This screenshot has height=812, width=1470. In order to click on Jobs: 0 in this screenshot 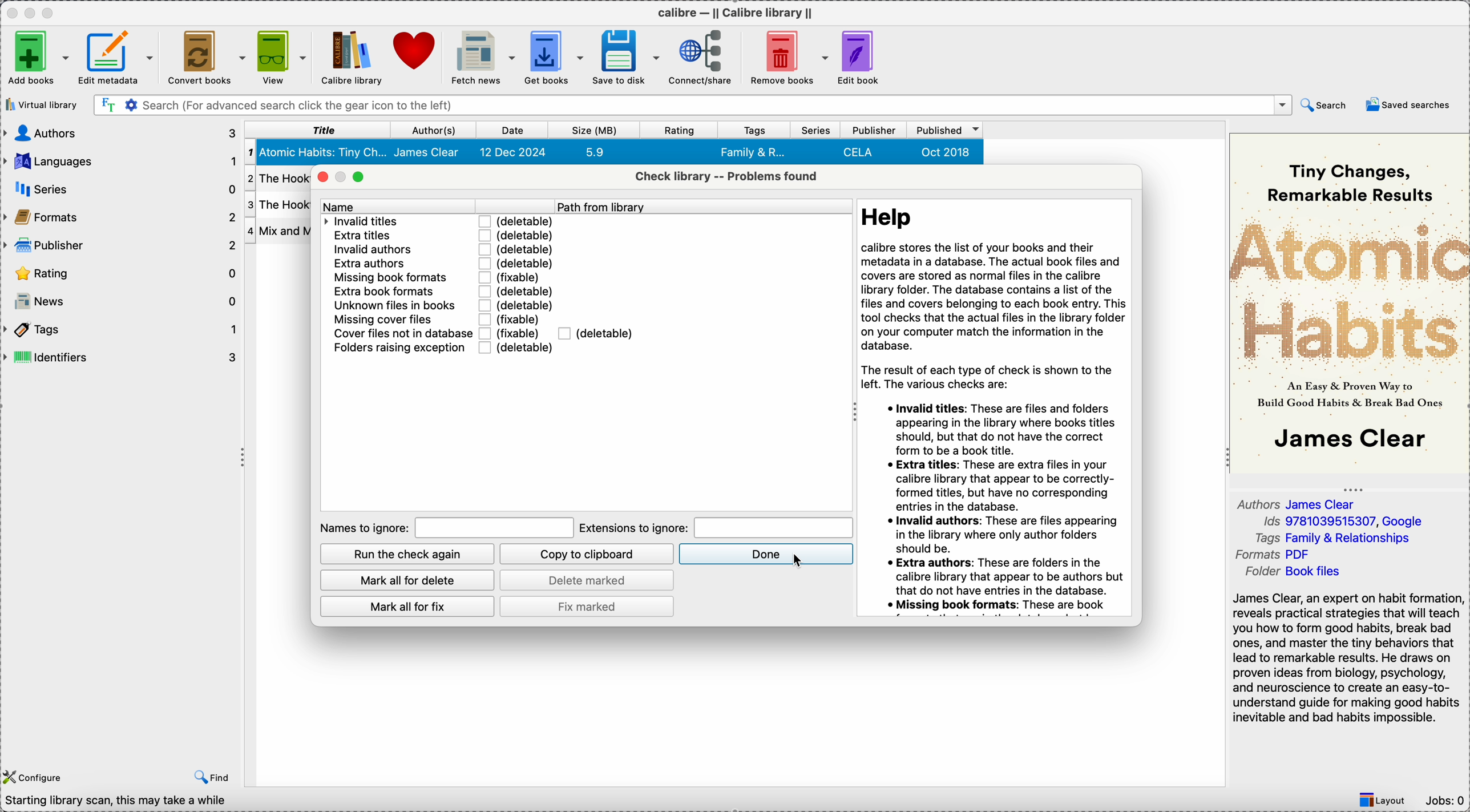, I will do `click(1445, 801)`.